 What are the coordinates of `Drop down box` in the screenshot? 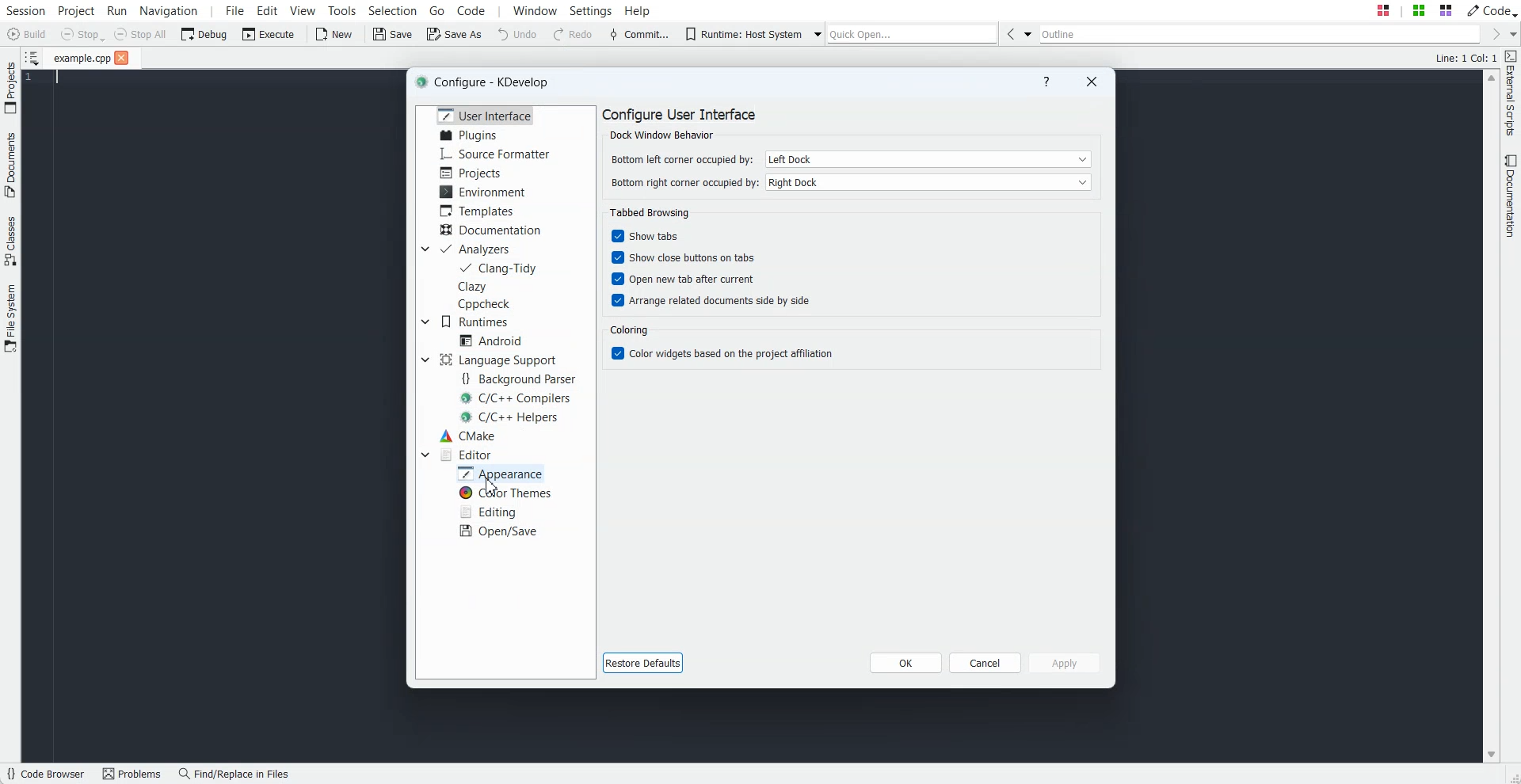 It's located at (425, 321).